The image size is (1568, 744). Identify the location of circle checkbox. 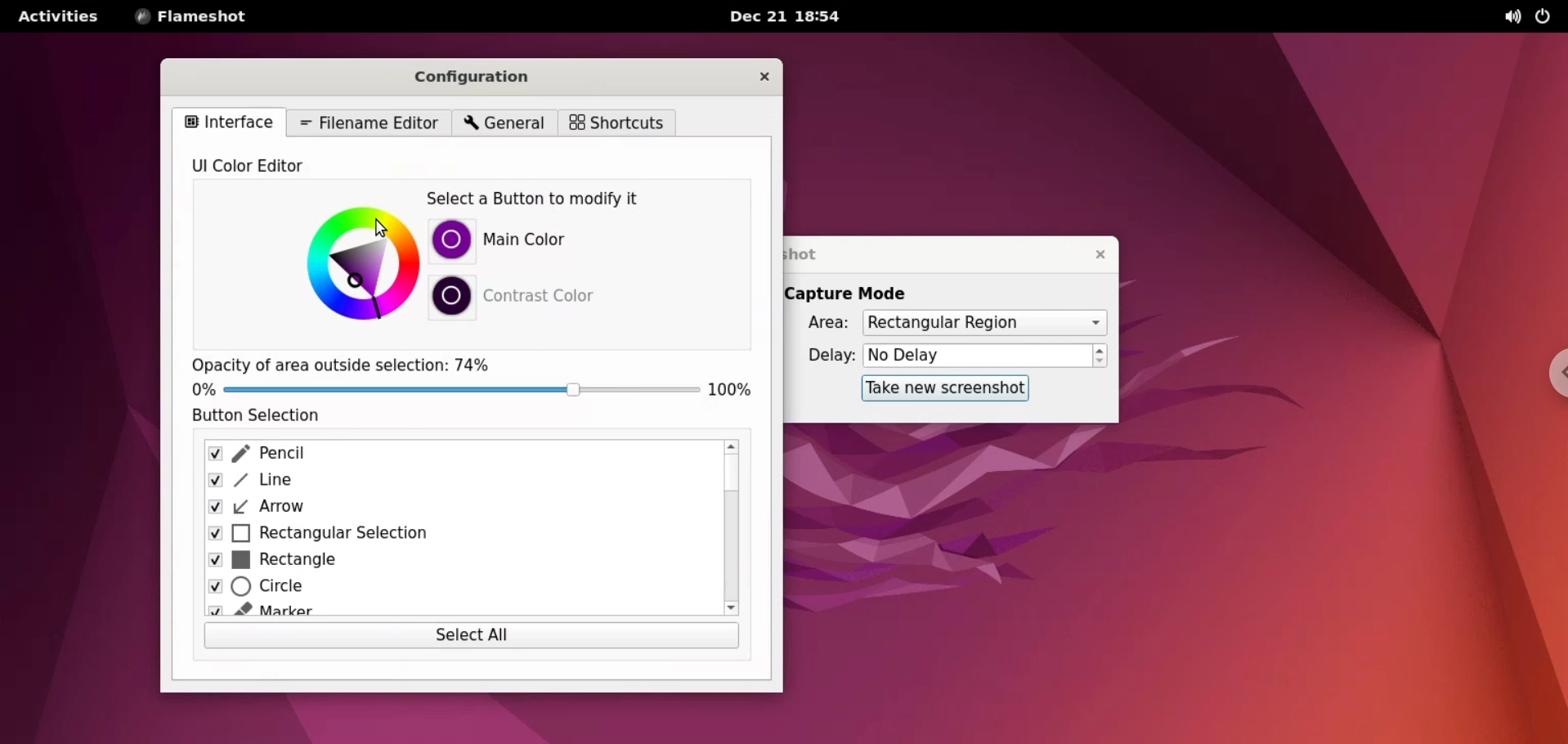
(450, 589).